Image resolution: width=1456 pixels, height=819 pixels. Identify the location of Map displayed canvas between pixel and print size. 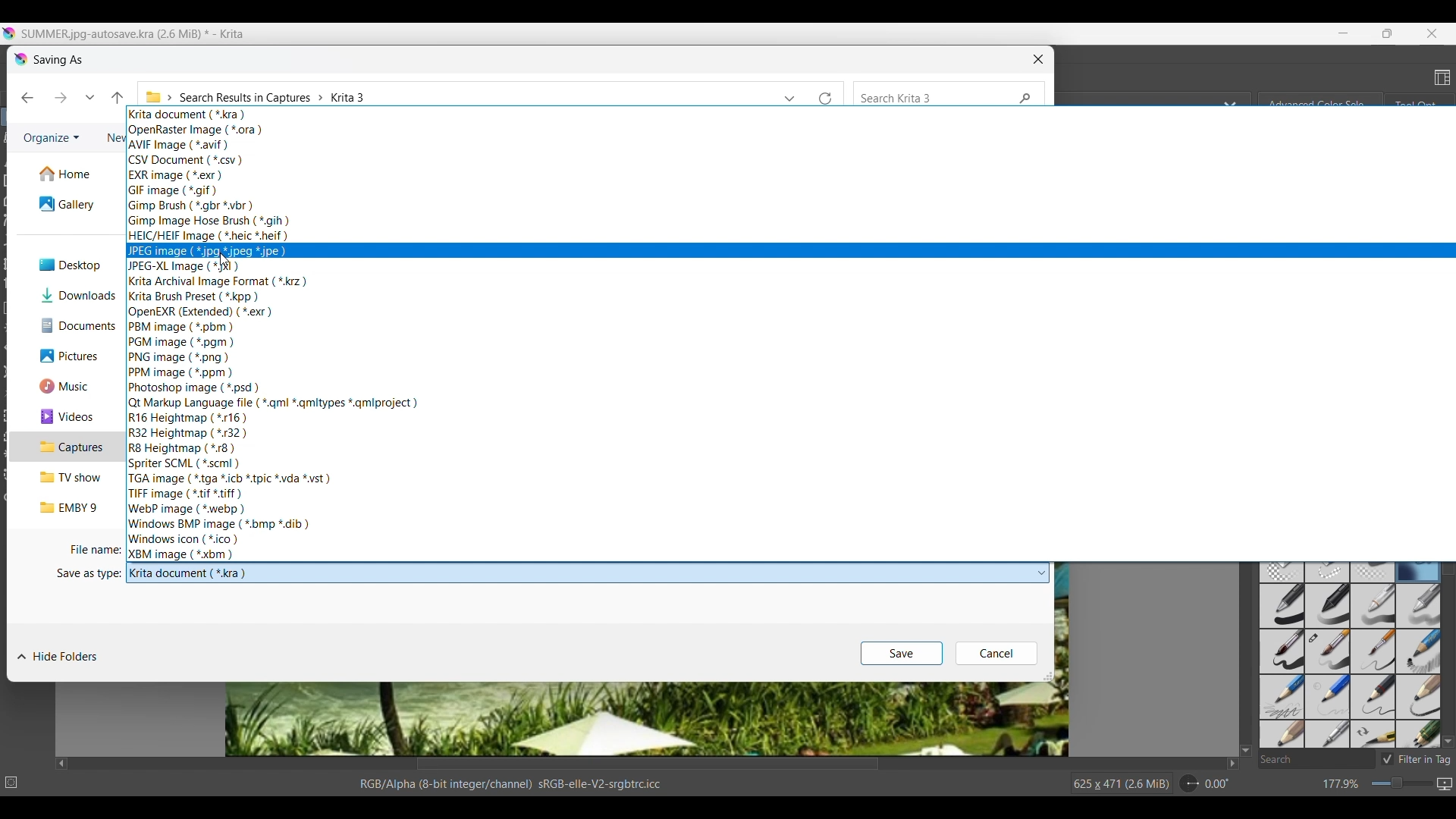
(1444, 784).